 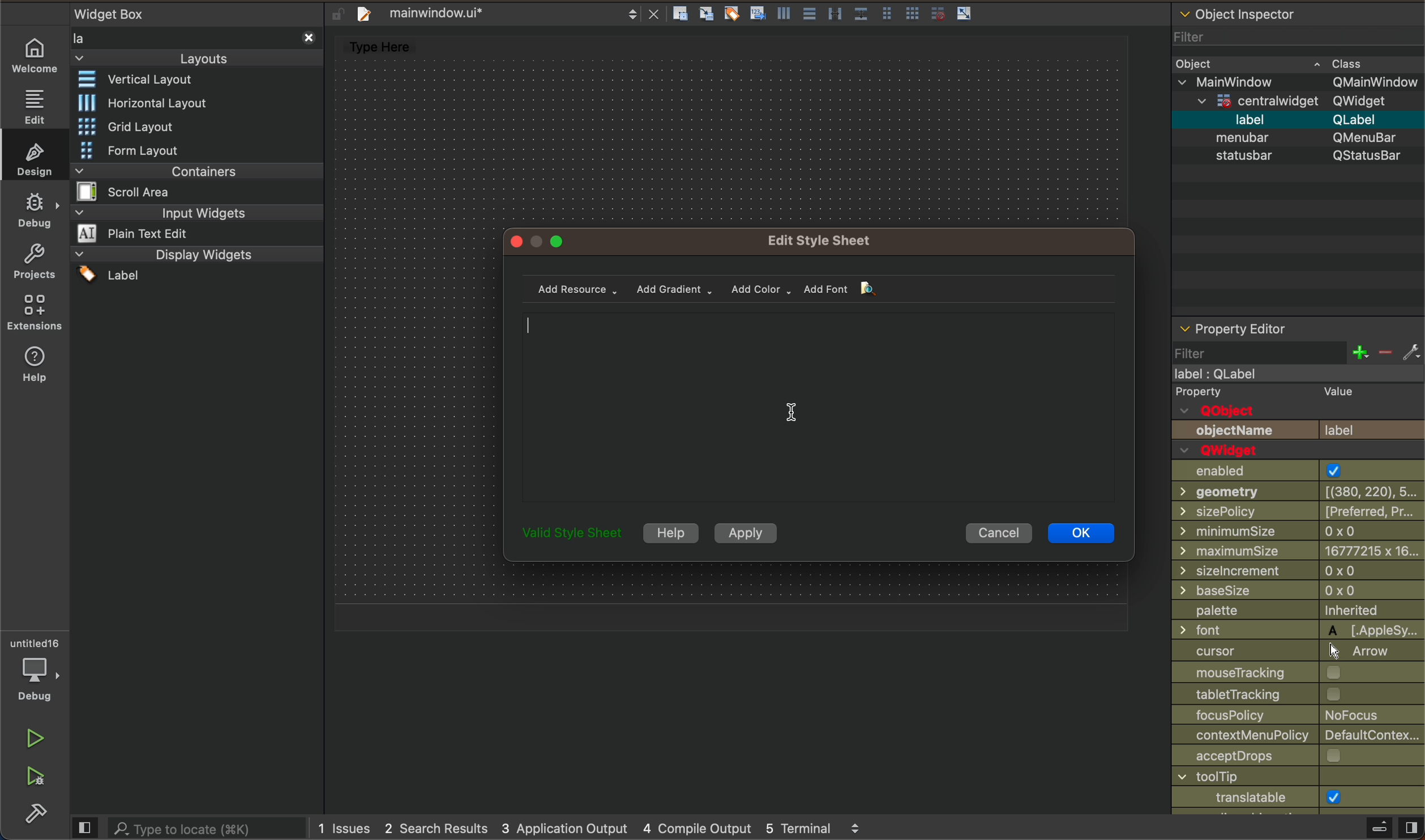 What do you see at coordinates (1296, 513) in the screenshot?
I see `size policy` at bounding box center [1296, 513].